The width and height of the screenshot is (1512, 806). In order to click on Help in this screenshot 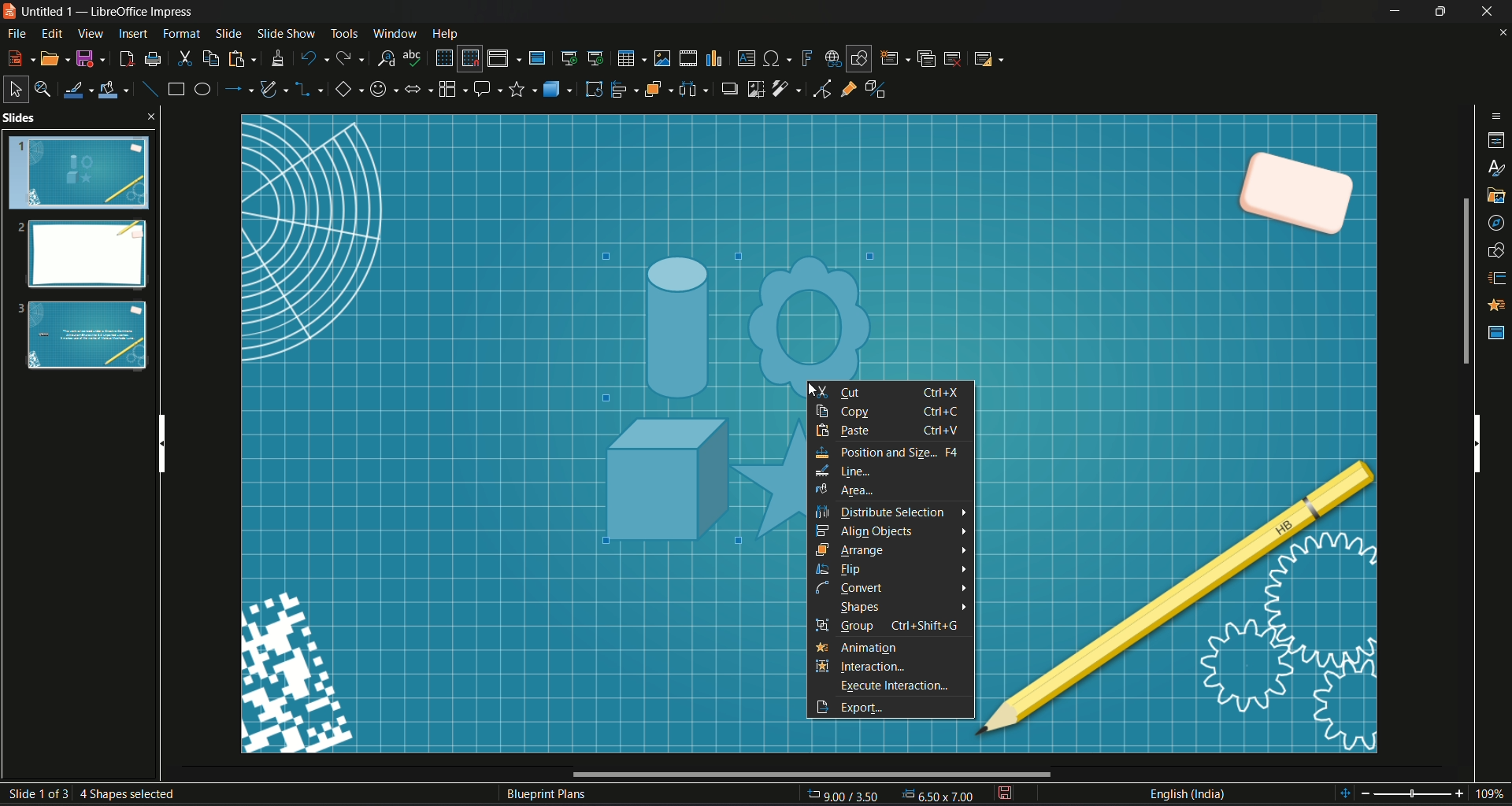, I will do `click(446, 34)`.